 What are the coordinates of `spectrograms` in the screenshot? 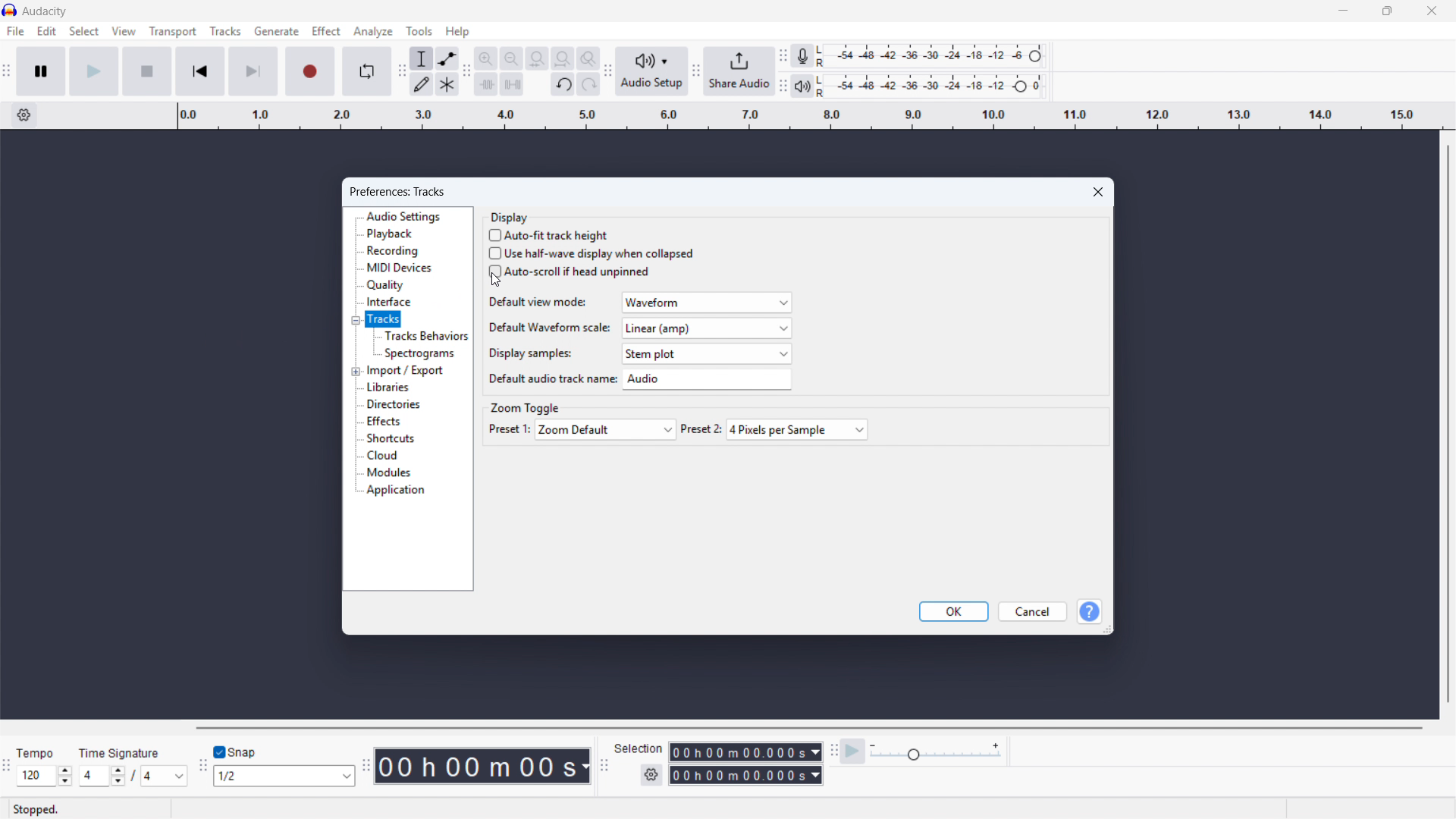 It's located at (420, 353).